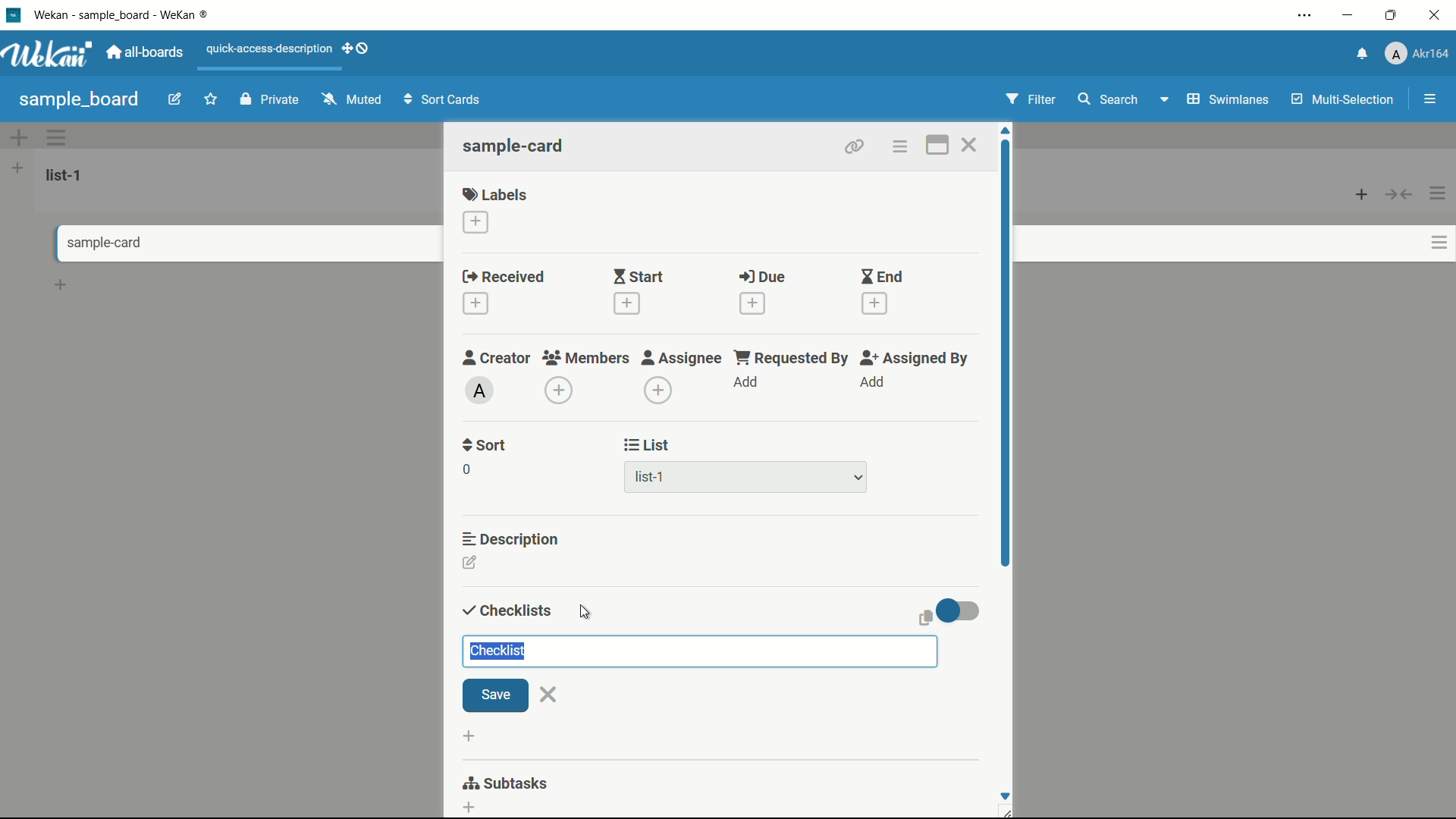  Describe the element at coordinates (67, 174) in the screenshot. I see `list-1` at that location.